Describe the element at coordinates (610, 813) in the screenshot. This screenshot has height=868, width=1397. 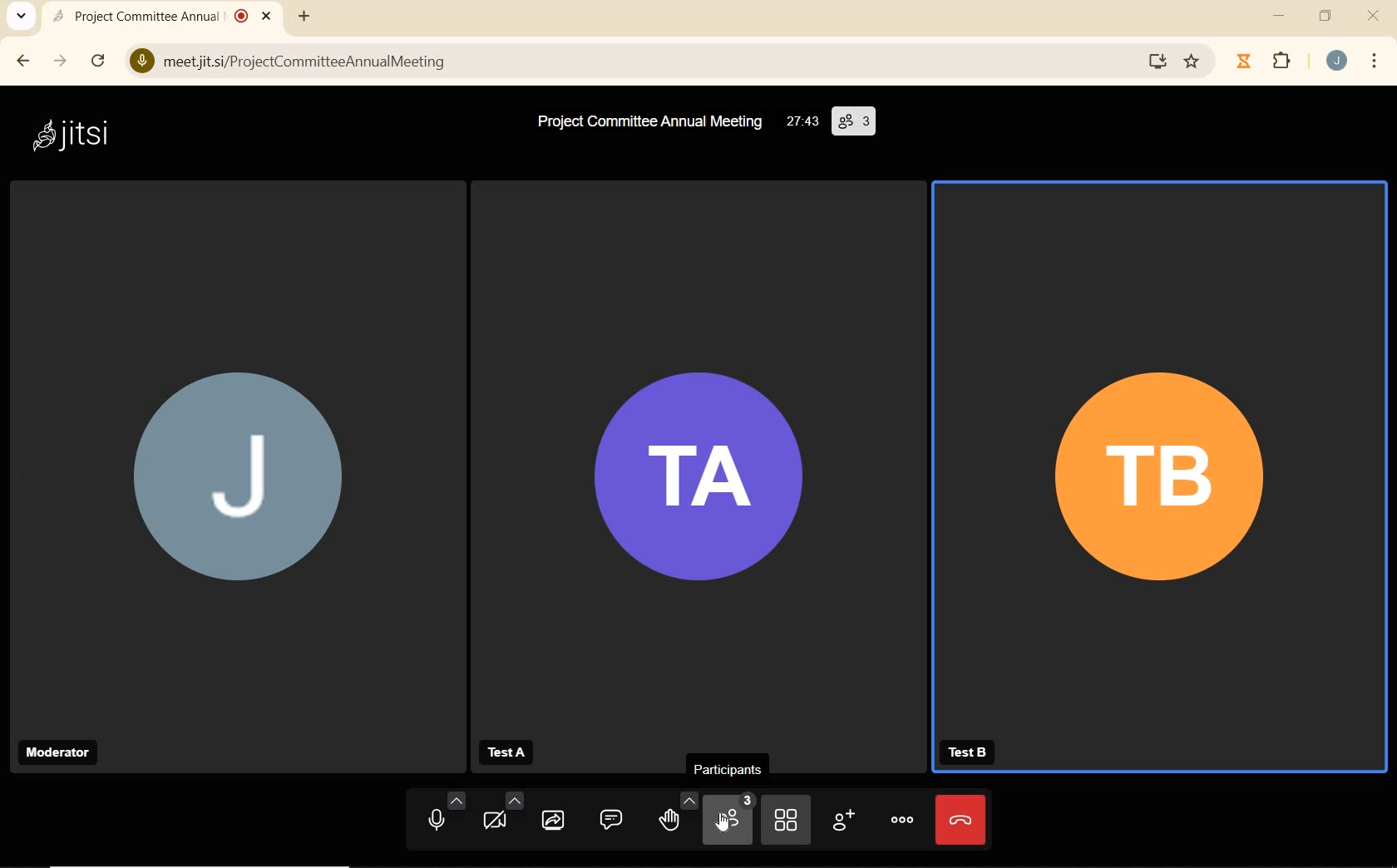
I see `OPEN CHAT` at that location.